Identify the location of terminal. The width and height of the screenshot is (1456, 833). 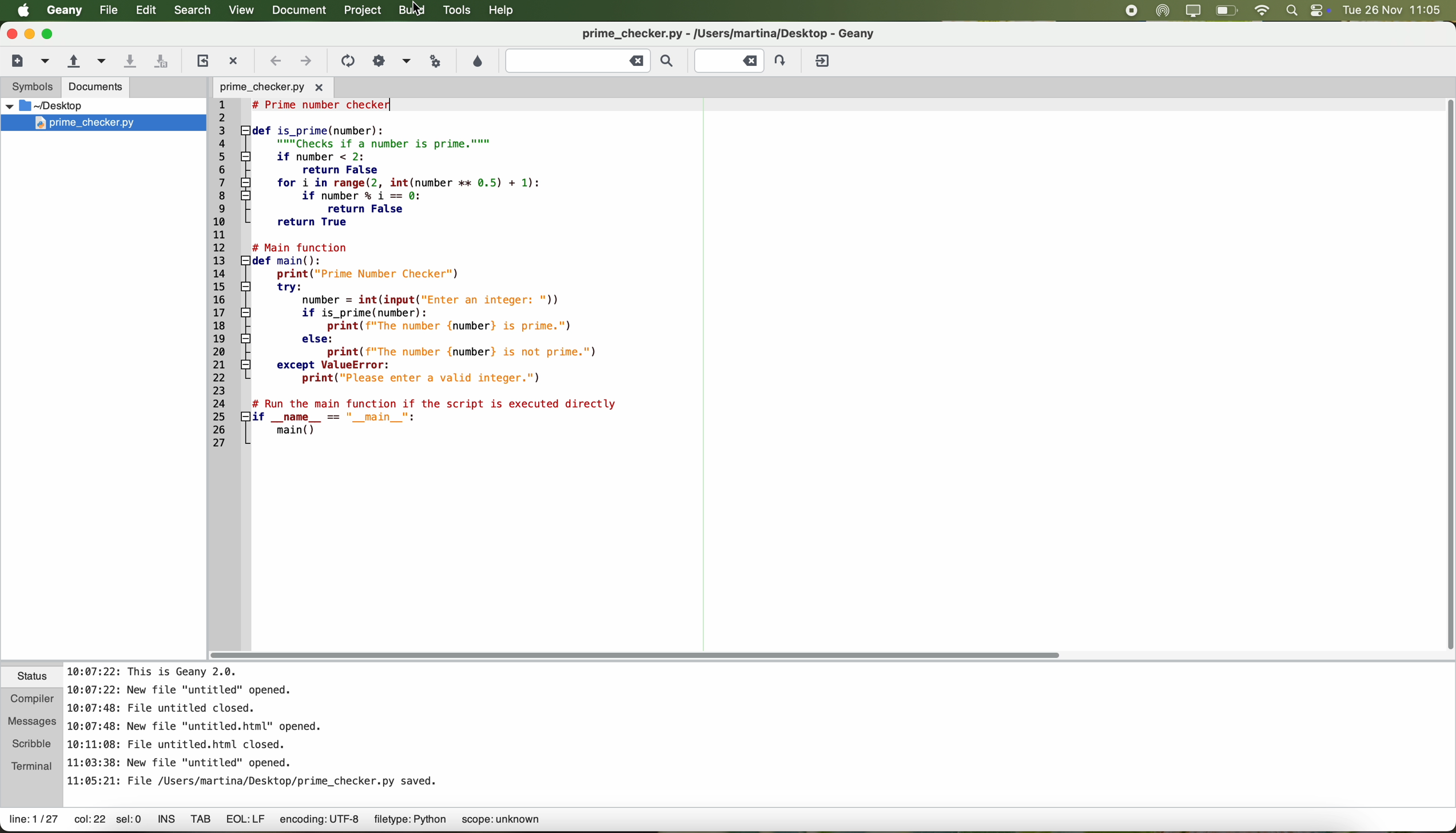
(33, 766).